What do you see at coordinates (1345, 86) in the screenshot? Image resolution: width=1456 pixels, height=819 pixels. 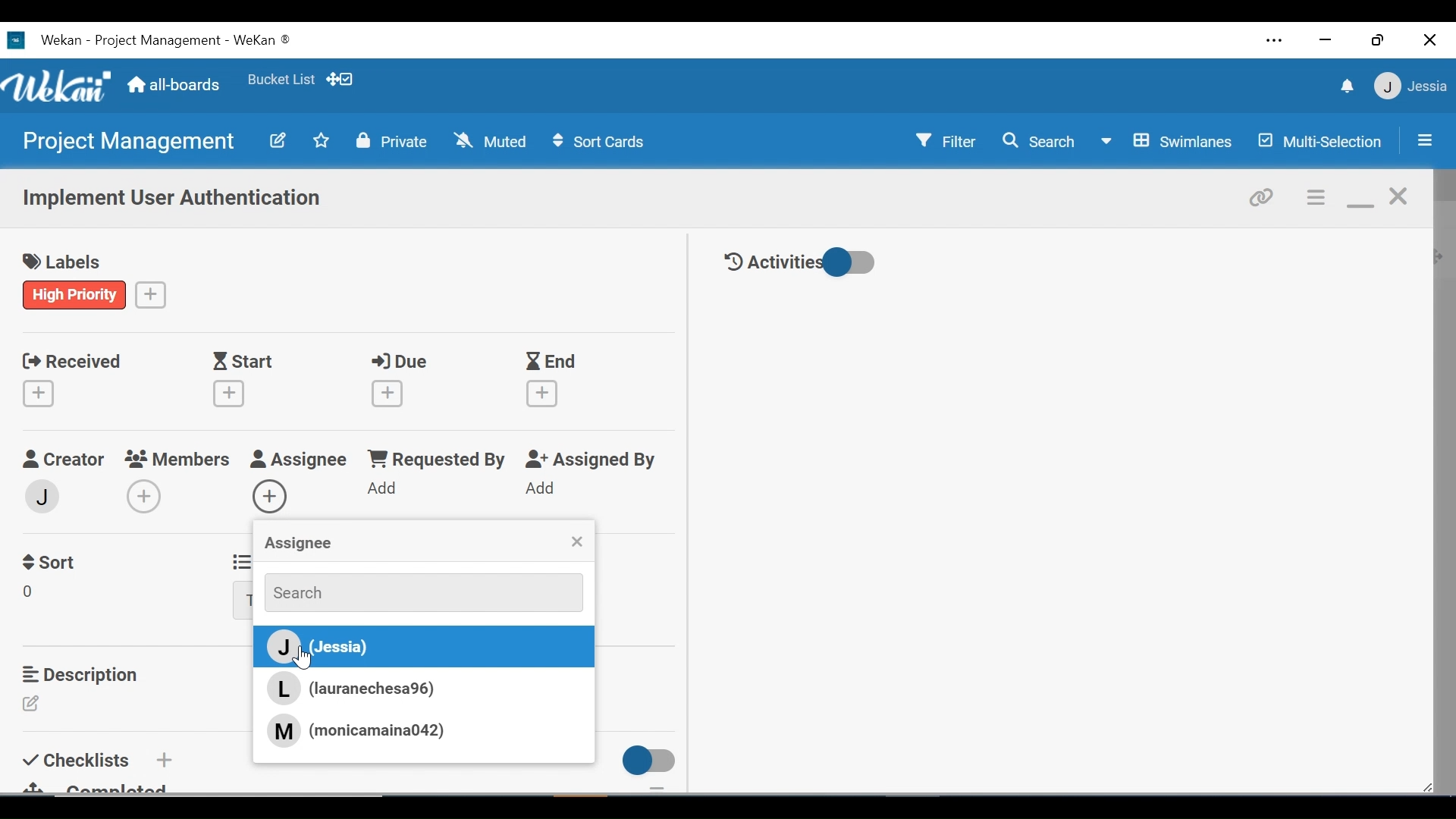 I see `notifications` at bounding box center [1345, 86].